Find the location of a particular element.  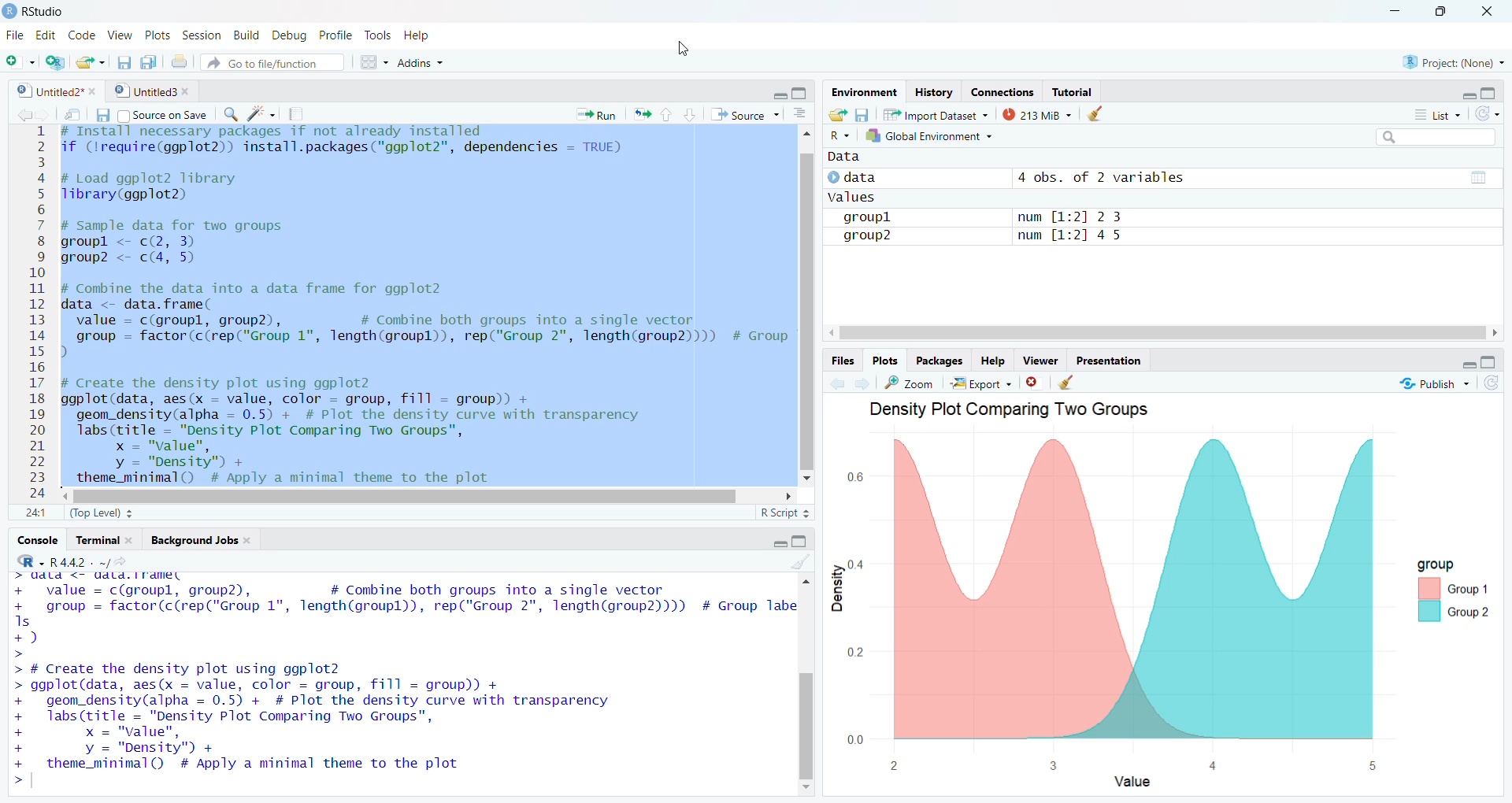

group 2 is located at coordinates (876, 235).